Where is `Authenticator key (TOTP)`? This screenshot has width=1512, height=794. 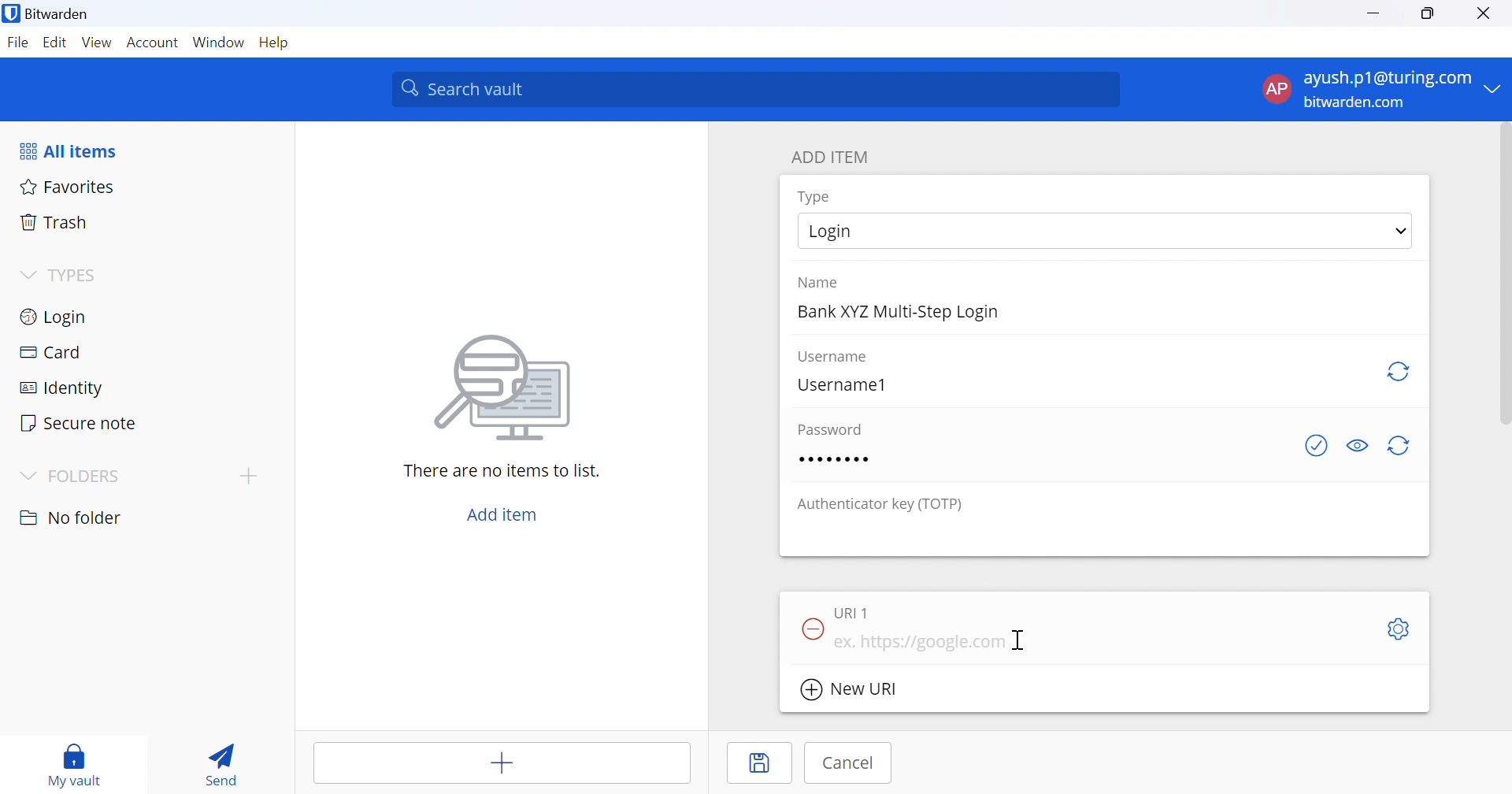 Authenticator key (TOTP) is located at coordinates (880, 506).